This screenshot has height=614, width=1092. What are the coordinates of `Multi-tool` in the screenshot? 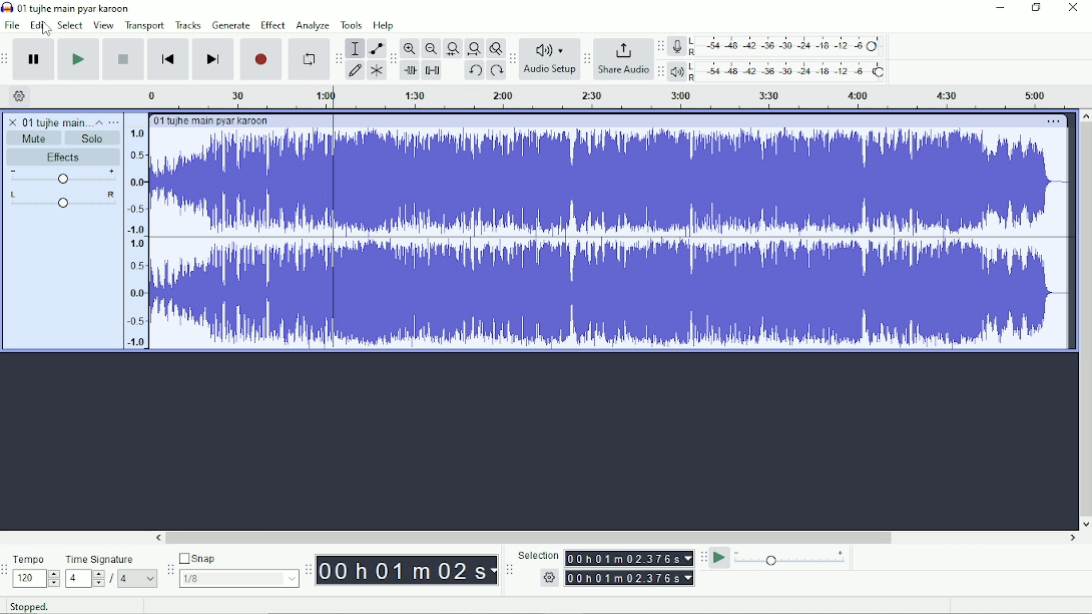 It's located at (376, 70).